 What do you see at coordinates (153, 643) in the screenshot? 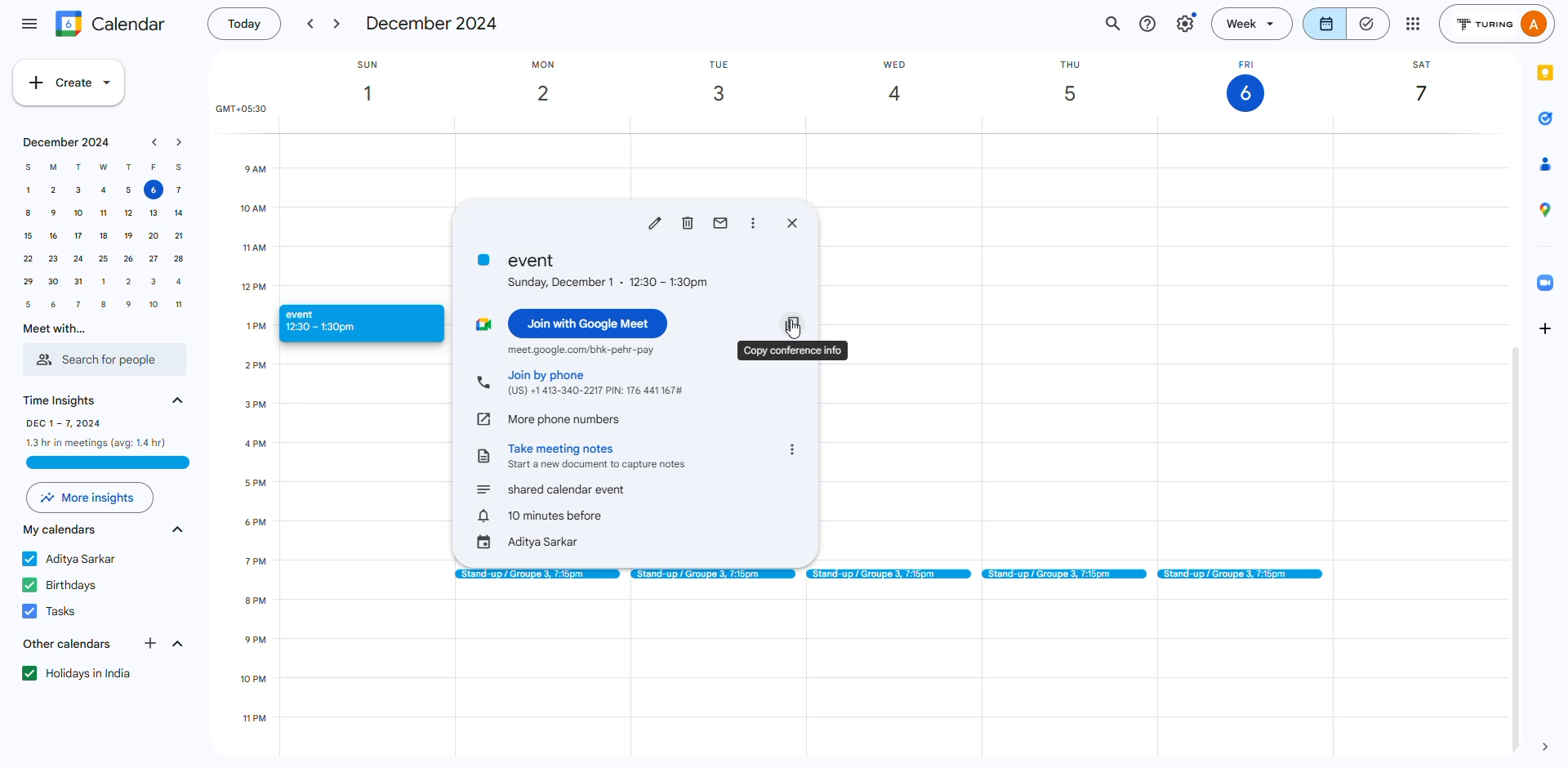
I see `add` at bounding box center [153, 643].